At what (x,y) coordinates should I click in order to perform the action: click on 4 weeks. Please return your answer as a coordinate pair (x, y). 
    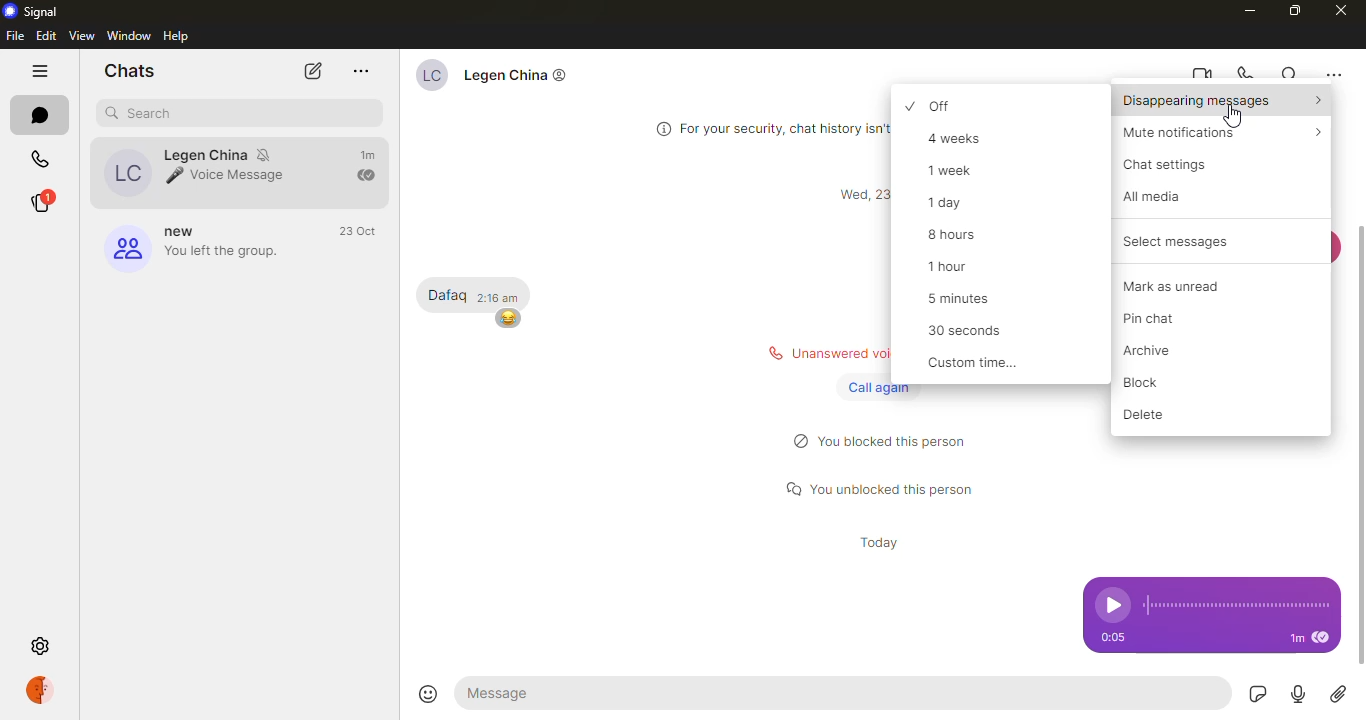
    Looking at the image, I should click on (965, 139).